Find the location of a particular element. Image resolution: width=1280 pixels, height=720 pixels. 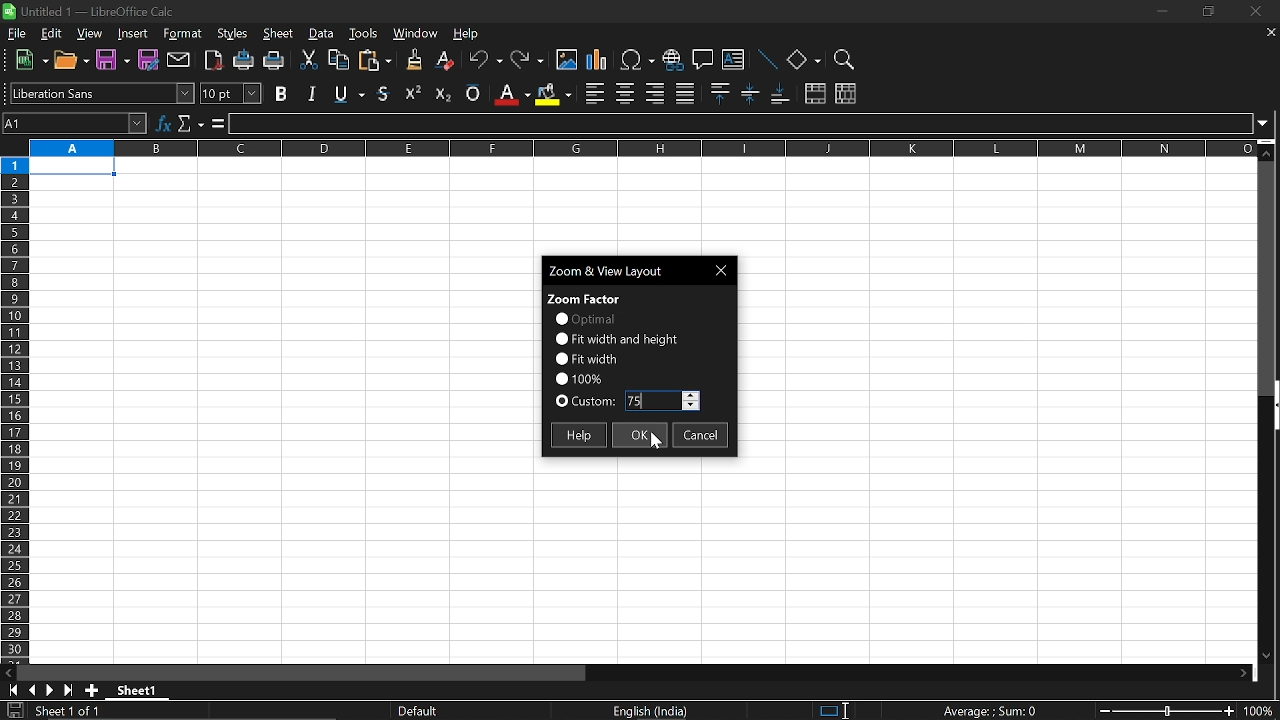

new is located at coordinates (32, 61).